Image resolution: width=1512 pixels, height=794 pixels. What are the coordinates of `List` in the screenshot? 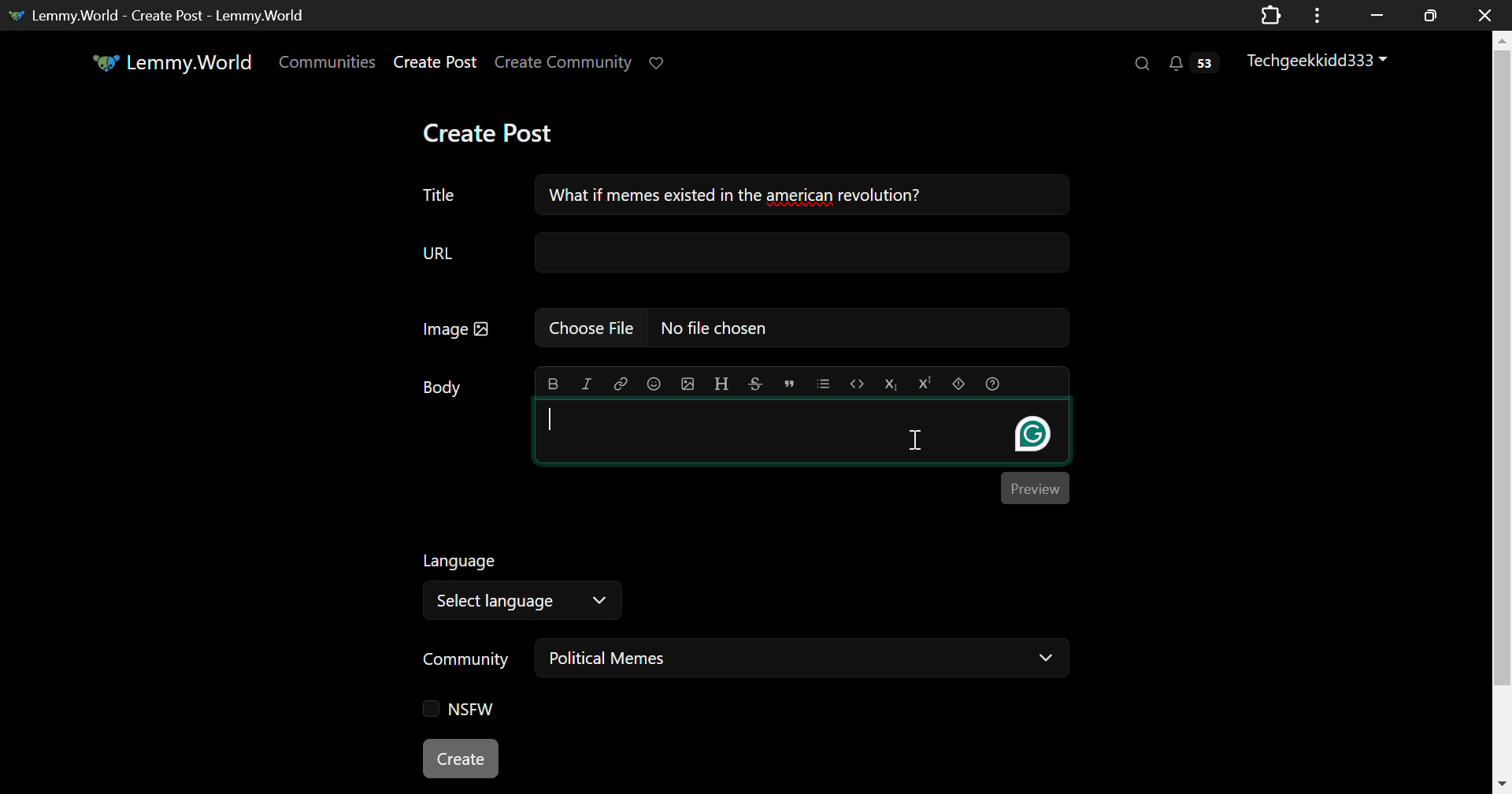 It's located at (824, 383).